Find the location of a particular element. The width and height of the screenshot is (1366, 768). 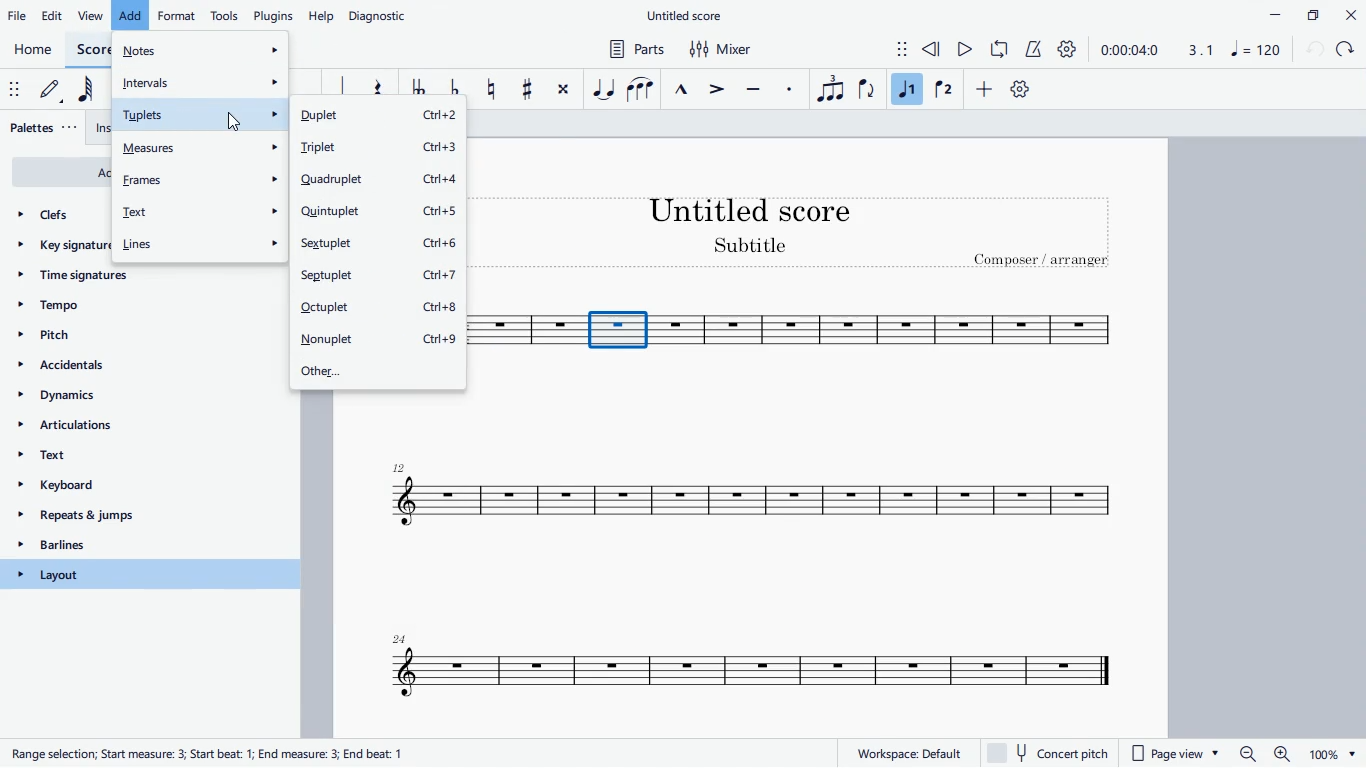

text is located at coordinates (202, 213).